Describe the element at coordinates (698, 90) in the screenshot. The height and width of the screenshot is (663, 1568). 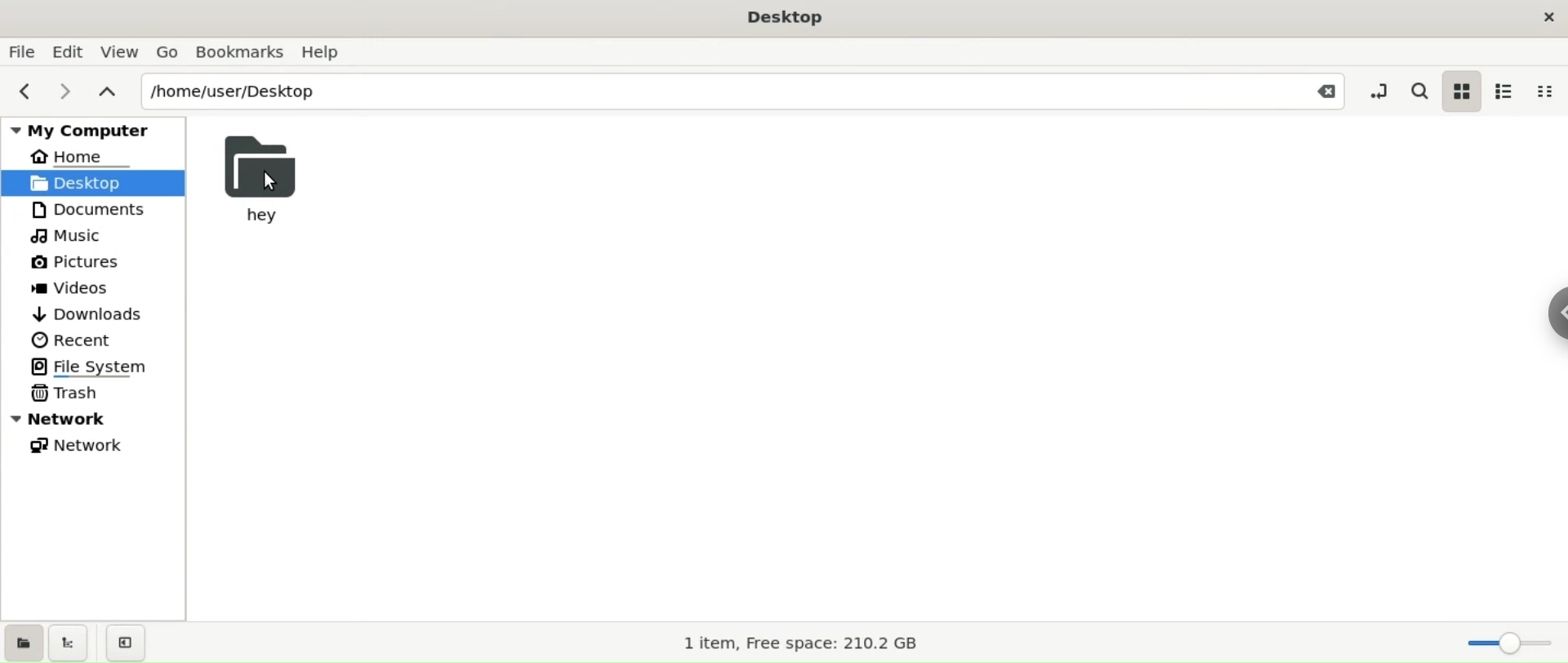
I see `/home/user/Desktop` at that location.